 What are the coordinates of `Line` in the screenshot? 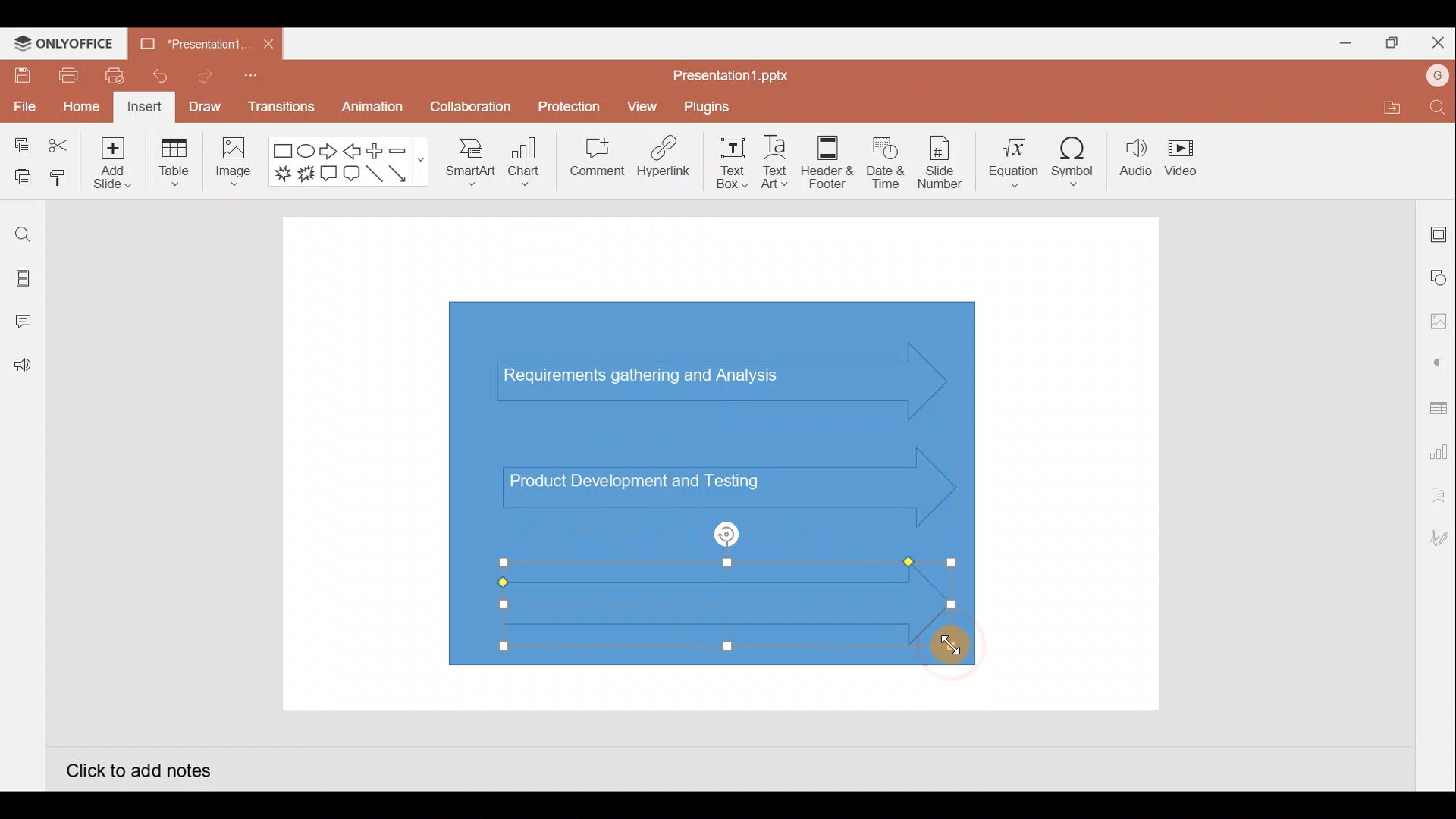 It's located at (376, 178).